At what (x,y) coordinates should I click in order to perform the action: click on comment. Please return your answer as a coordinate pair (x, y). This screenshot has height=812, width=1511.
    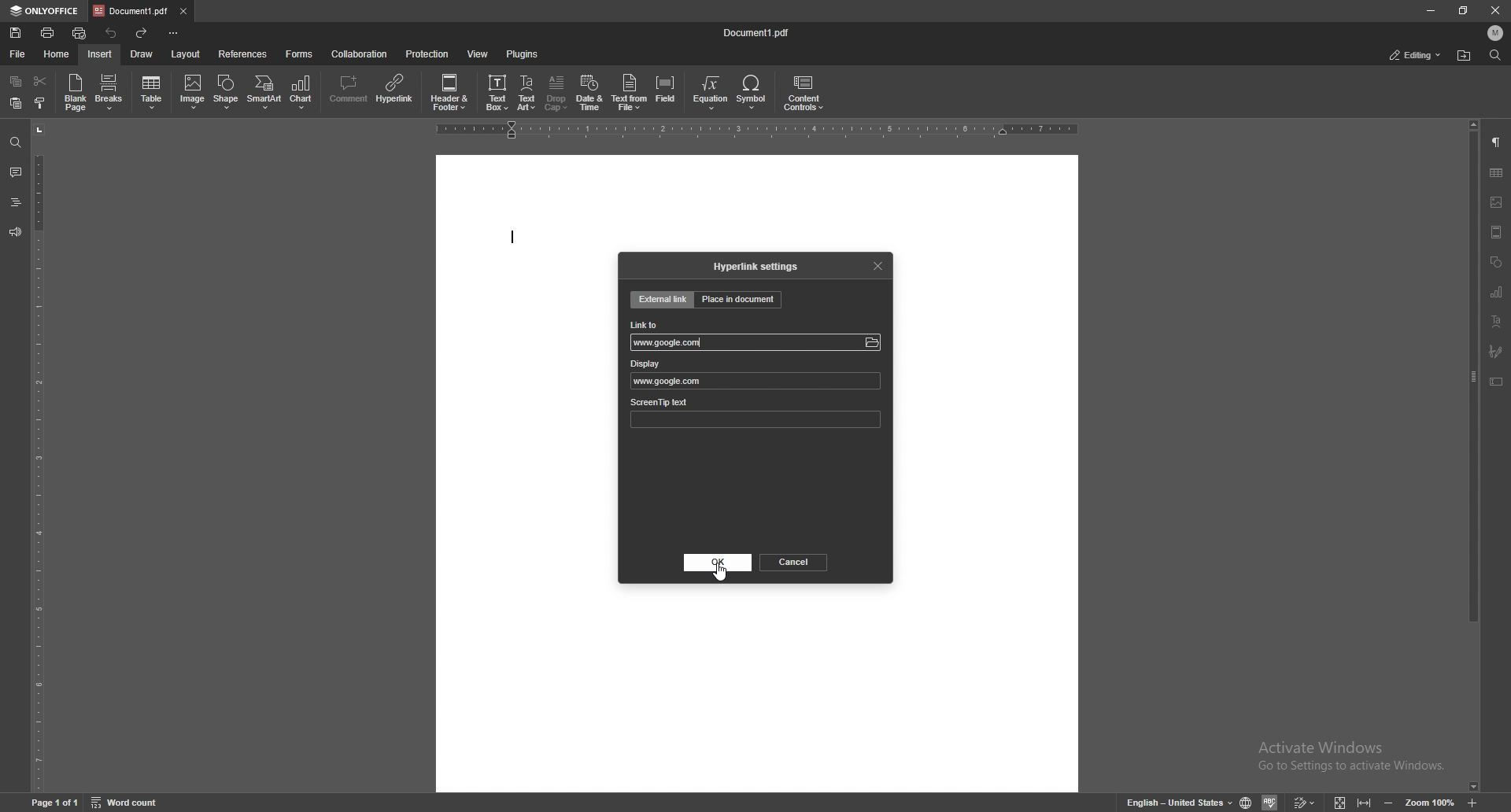
    Looking at the image, I should click on (350, 90).